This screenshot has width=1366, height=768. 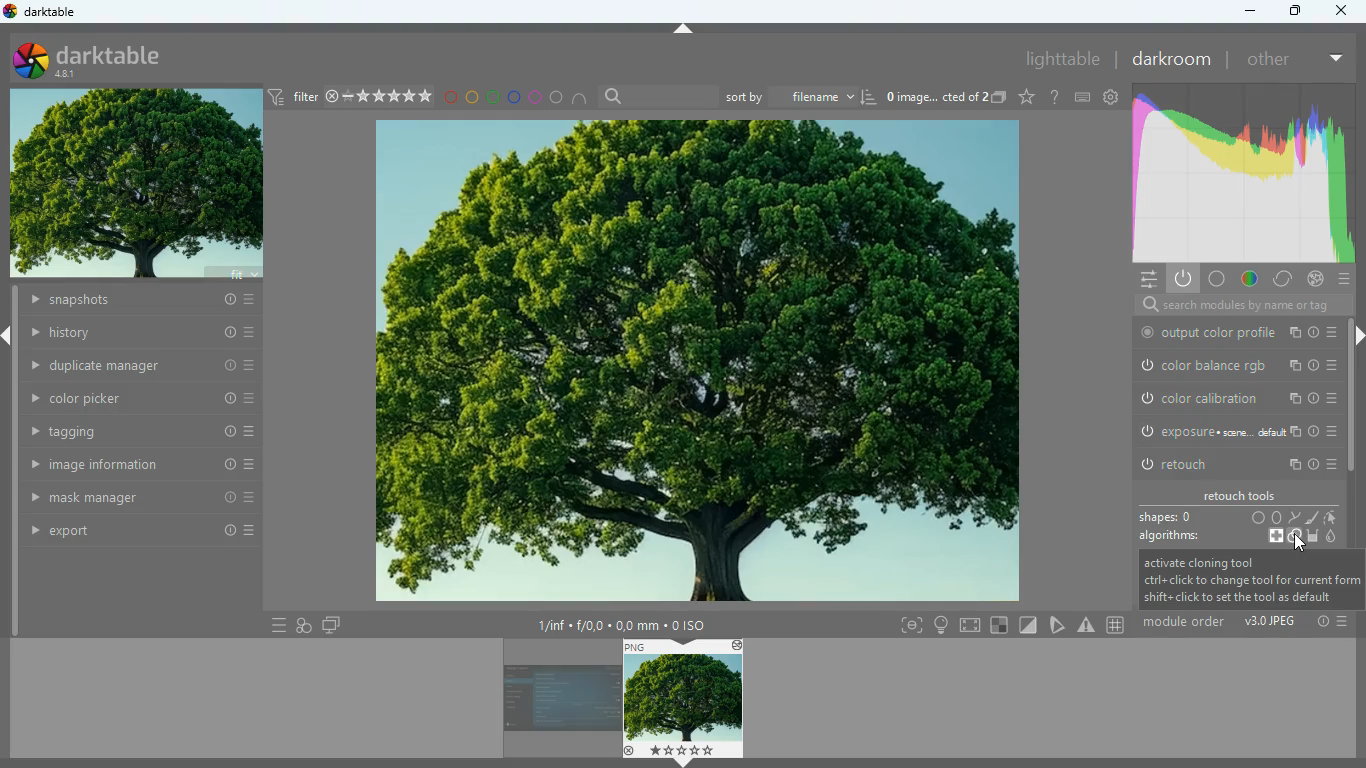 What do you see at coordinates (149, 365) in the screenshot?
I see `duplicate manager` at bounding box center [149, 365].